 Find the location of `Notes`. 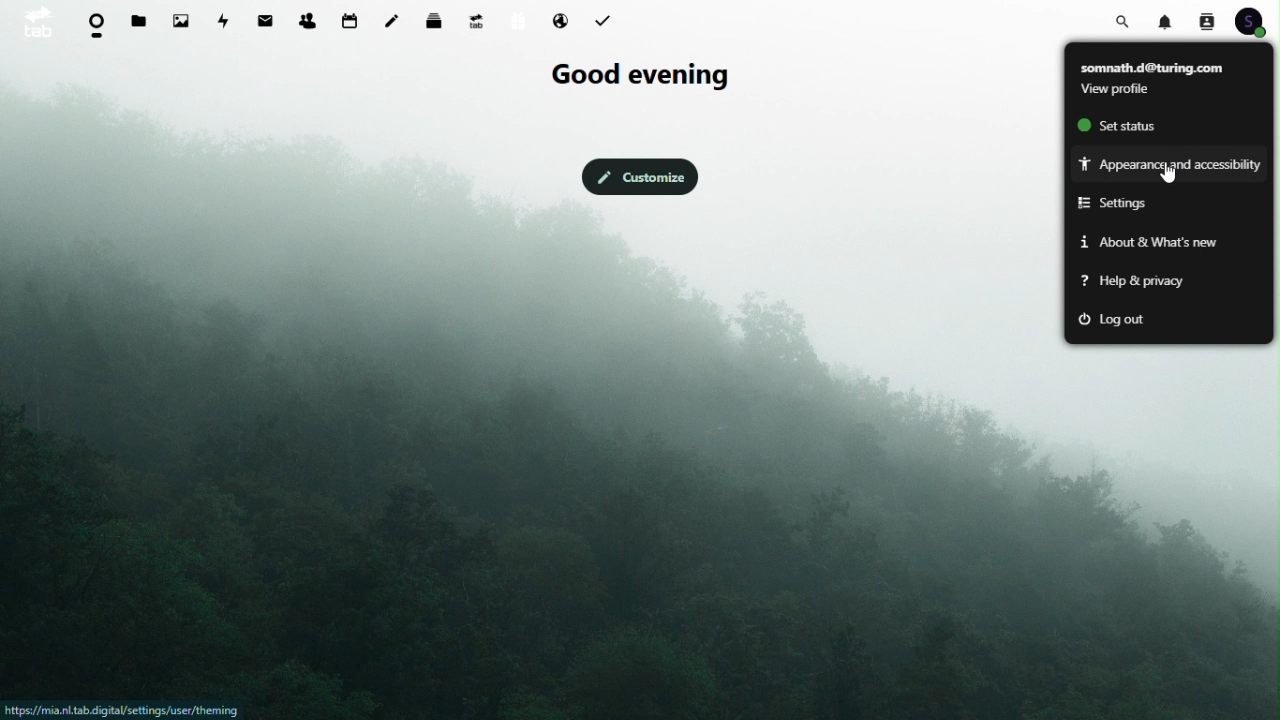

Notes is located at coordinates (397, 16).